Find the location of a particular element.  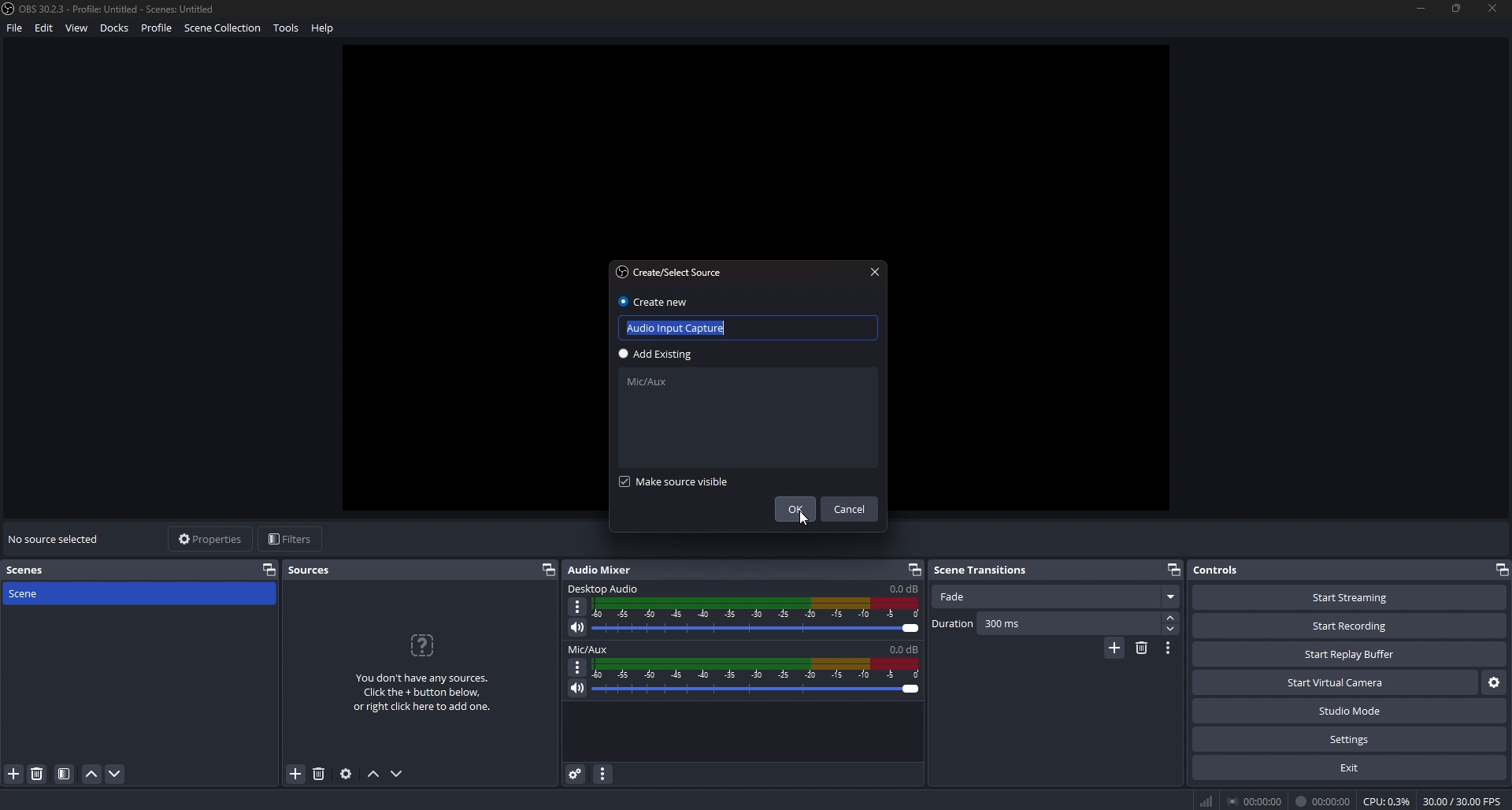

help is located at coordinates (326, 30).